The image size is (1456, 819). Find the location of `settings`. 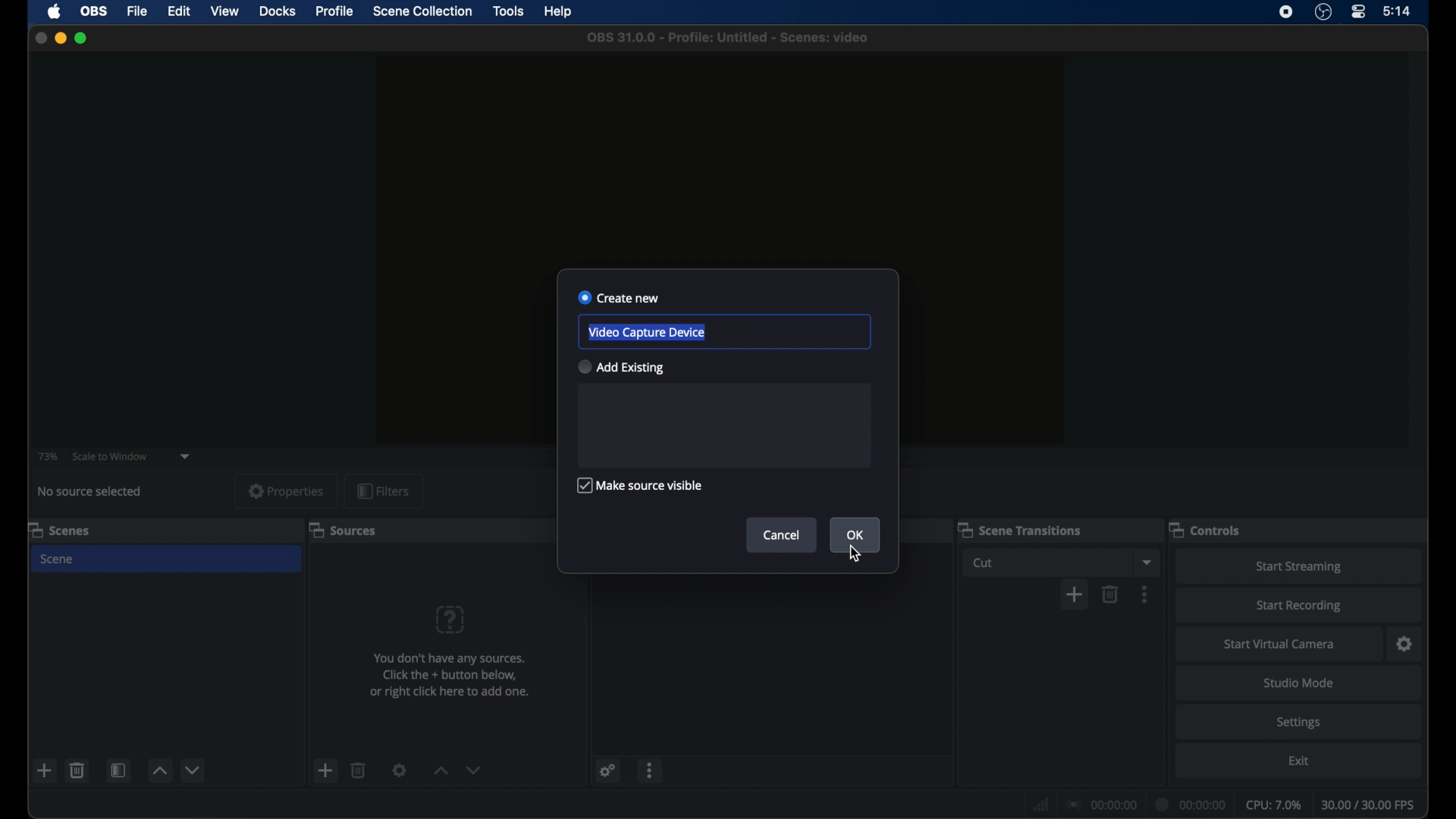

settings is located at coordinates (607, 770).